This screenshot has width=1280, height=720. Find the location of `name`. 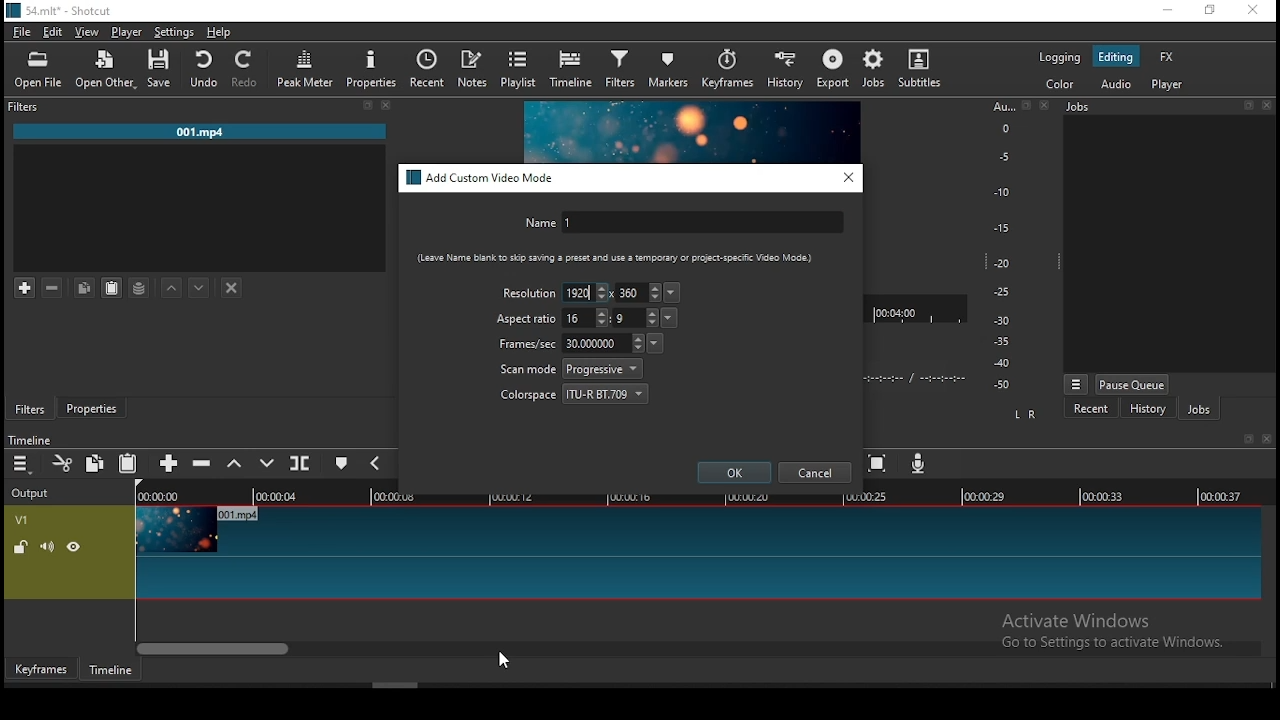

name is located at coordinates (681, 224).